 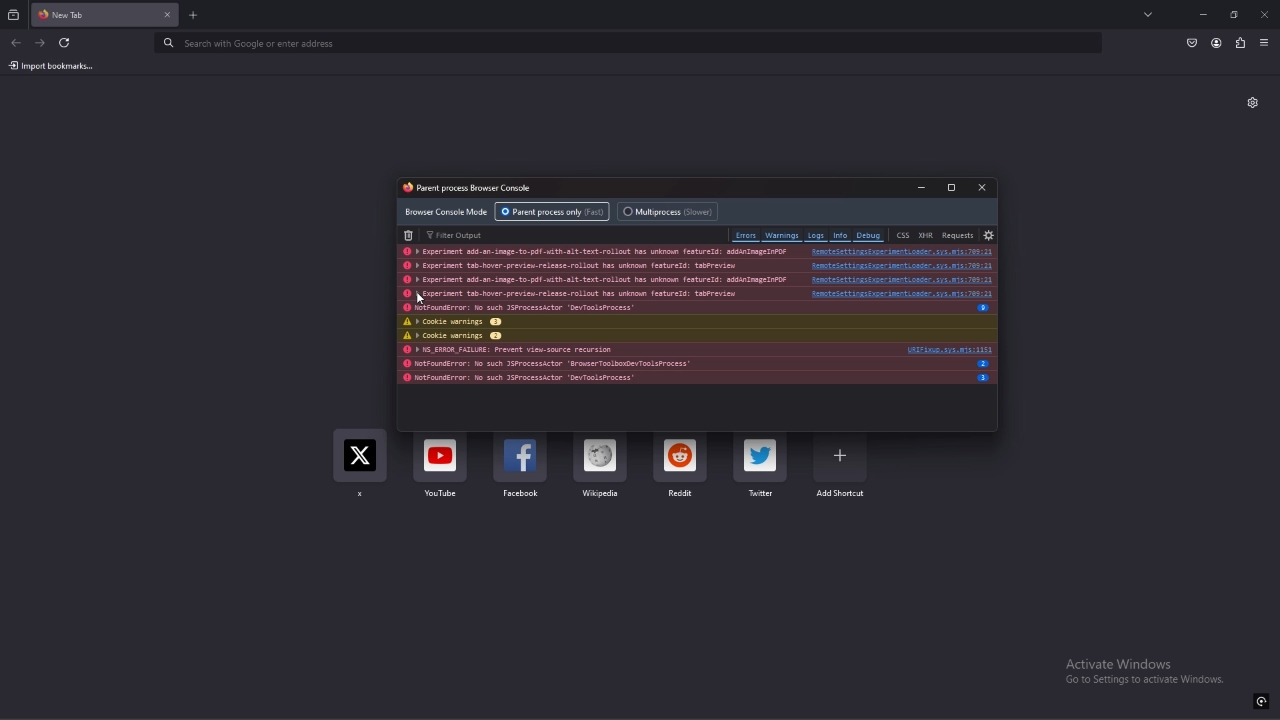 What do you see at coordinates (869, 236) in the screenshot?
I see `debug` at bounding box center [869, 236].